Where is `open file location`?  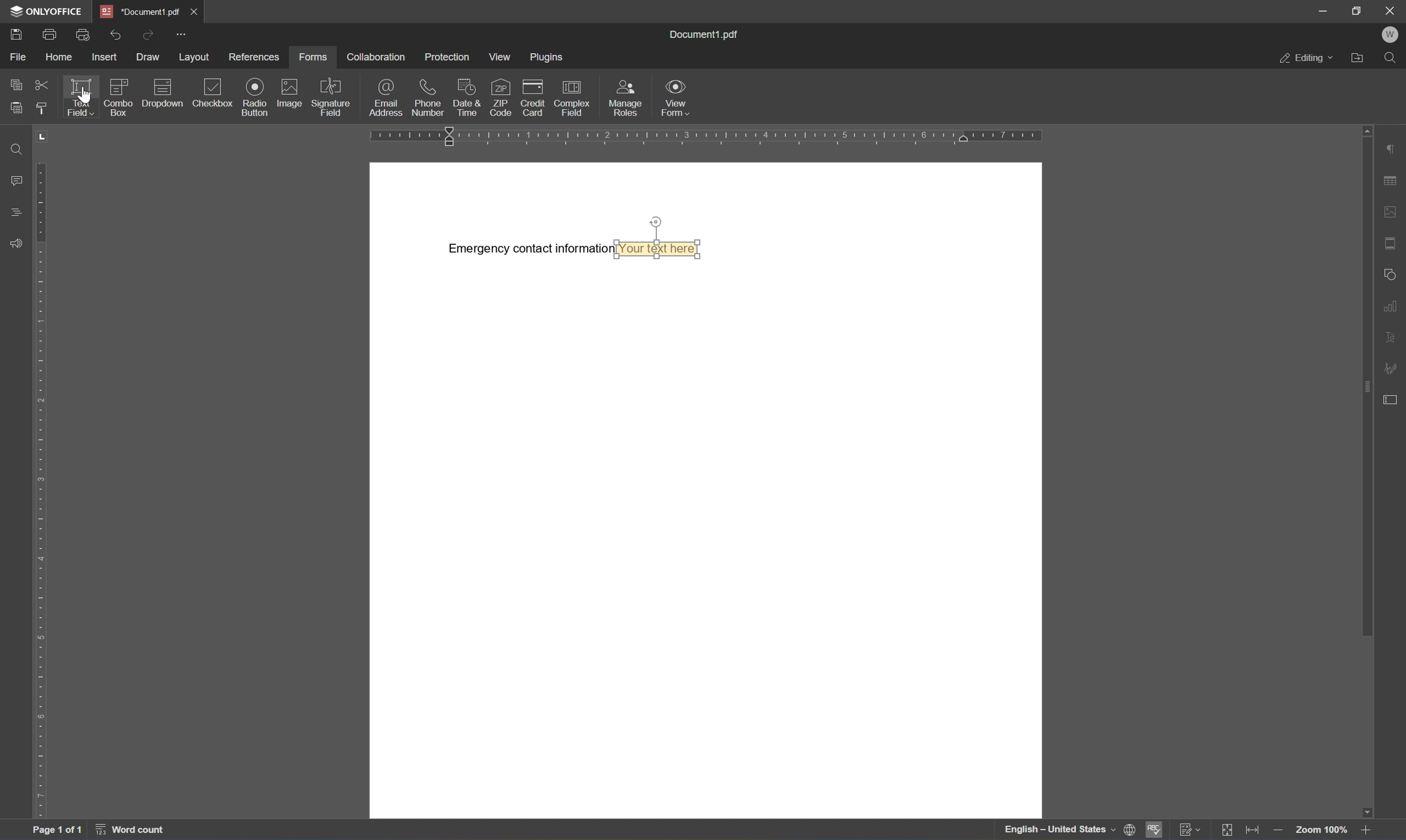
open file location is located at coordinates (1356, 58).